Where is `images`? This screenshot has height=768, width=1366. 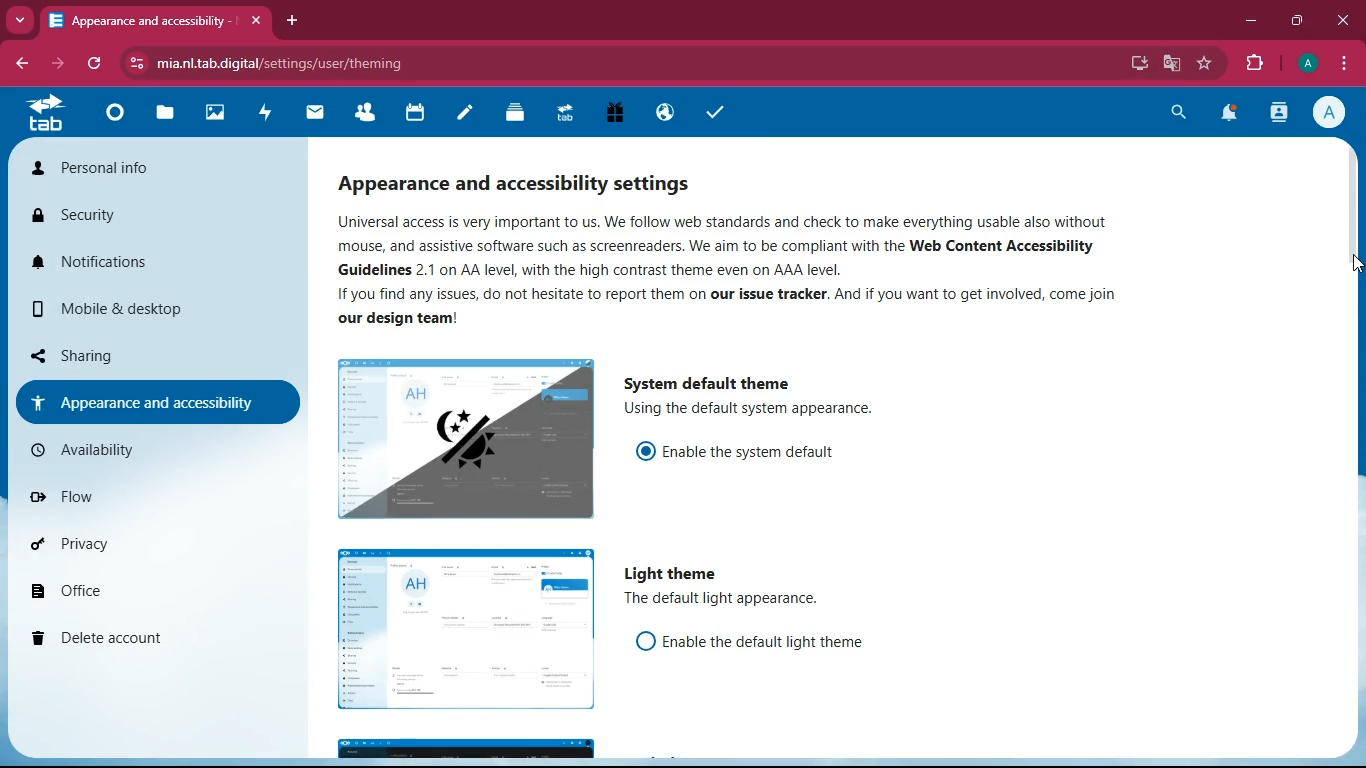 images is located at coordinates (213, 113).